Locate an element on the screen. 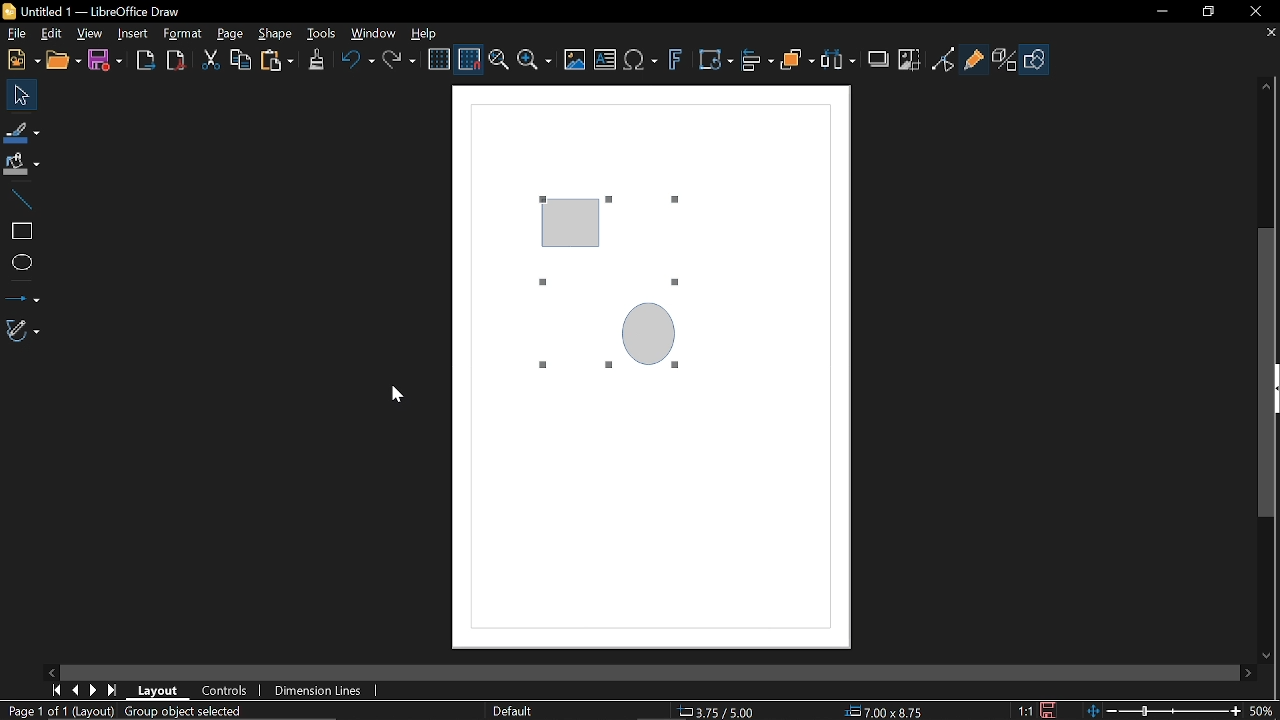  Cut is located at coordinates (207, 60).